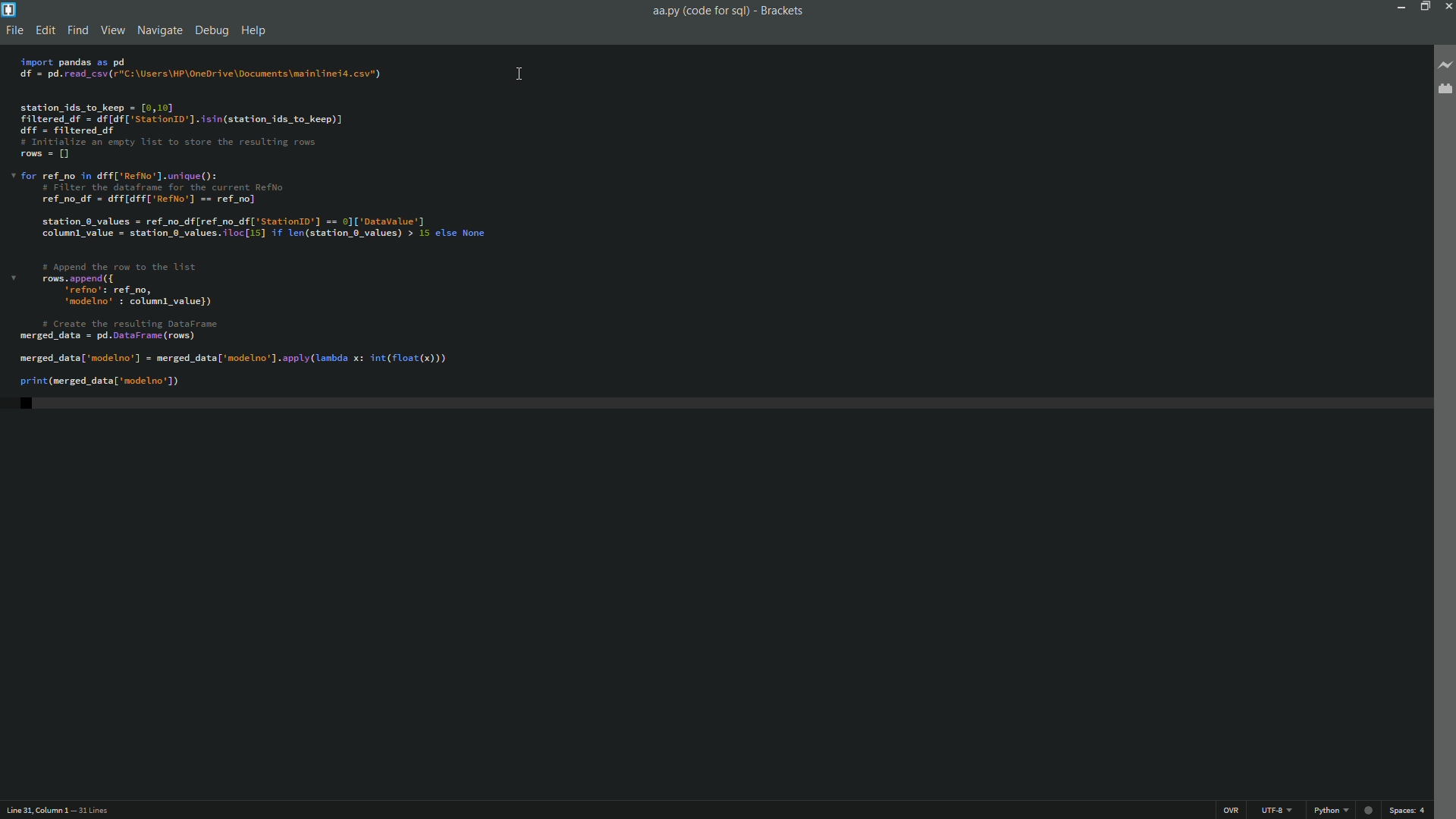 This screenshot has height=819, width=1456. Describe the element at coordinates (212, 30) in the screenshot. I see `debug menu` at that location.